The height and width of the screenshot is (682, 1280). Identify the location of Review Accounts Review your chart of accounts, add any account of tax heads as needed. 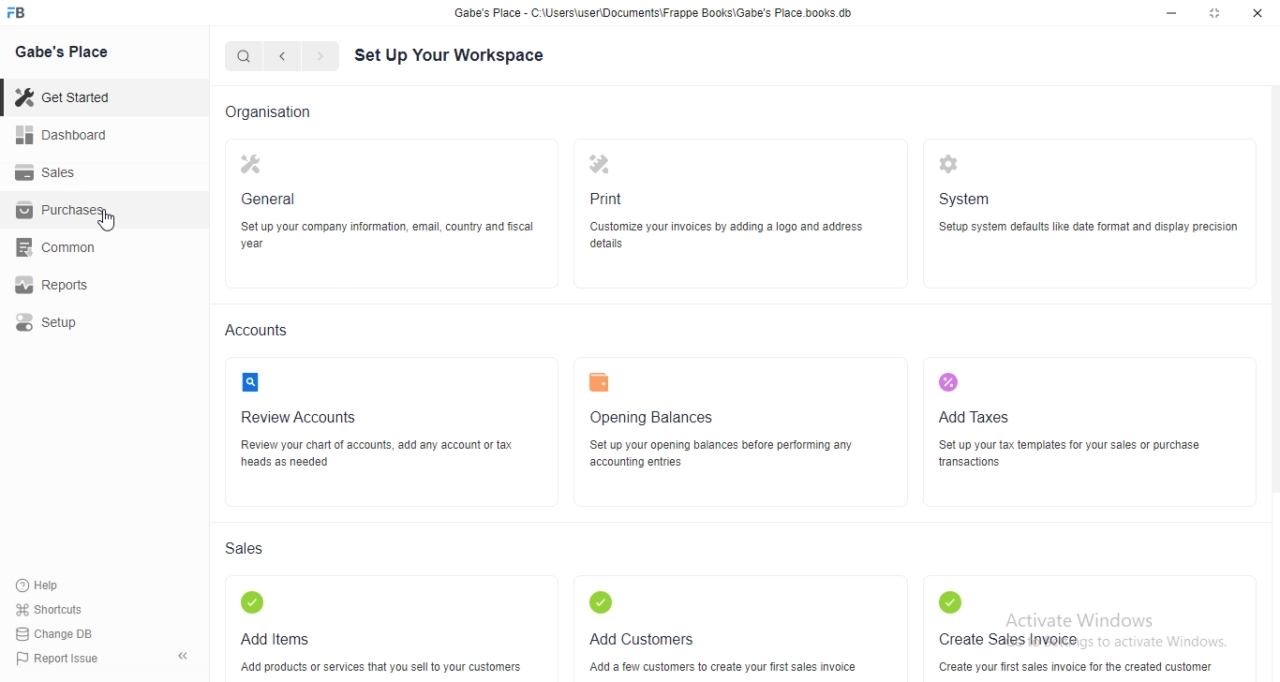
(378, 438).